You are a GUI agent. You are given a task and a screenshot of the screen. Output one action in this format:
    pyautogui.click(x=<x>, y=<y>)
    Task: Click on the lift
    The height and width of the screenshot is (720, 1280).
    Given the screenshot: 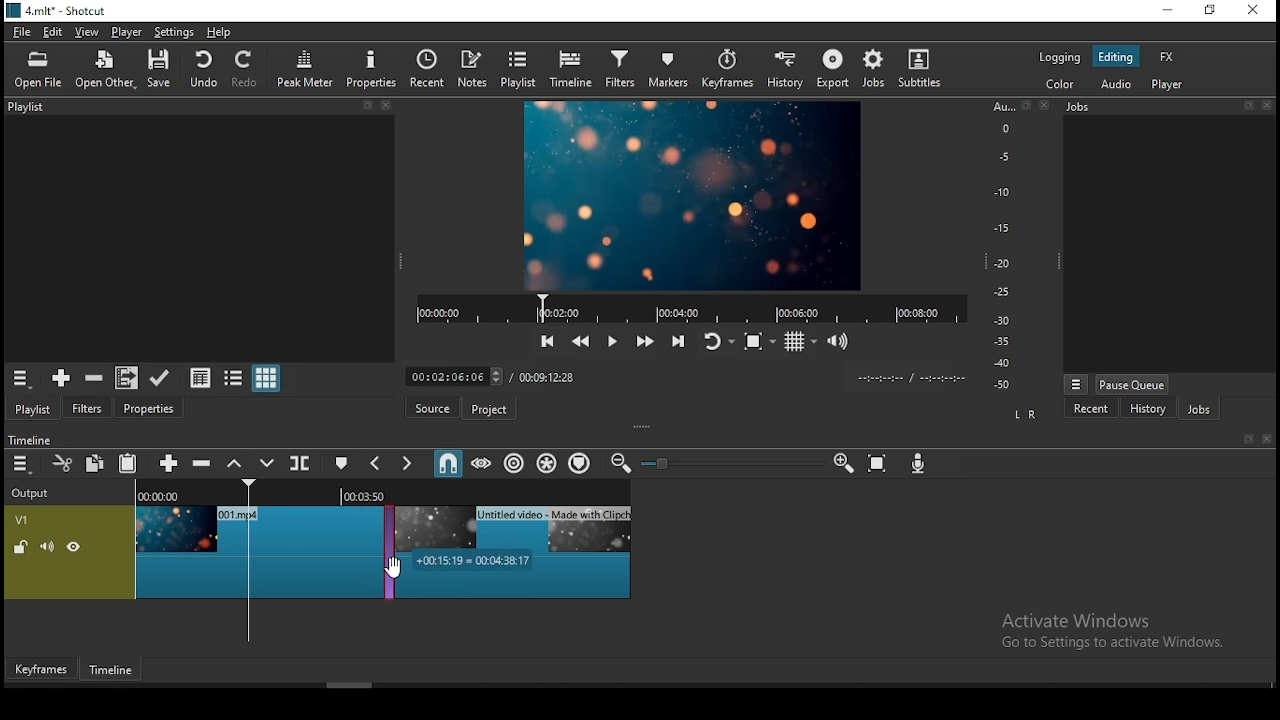 What is the action you would take?
    pyautogui.click(x=232, y=464)
    